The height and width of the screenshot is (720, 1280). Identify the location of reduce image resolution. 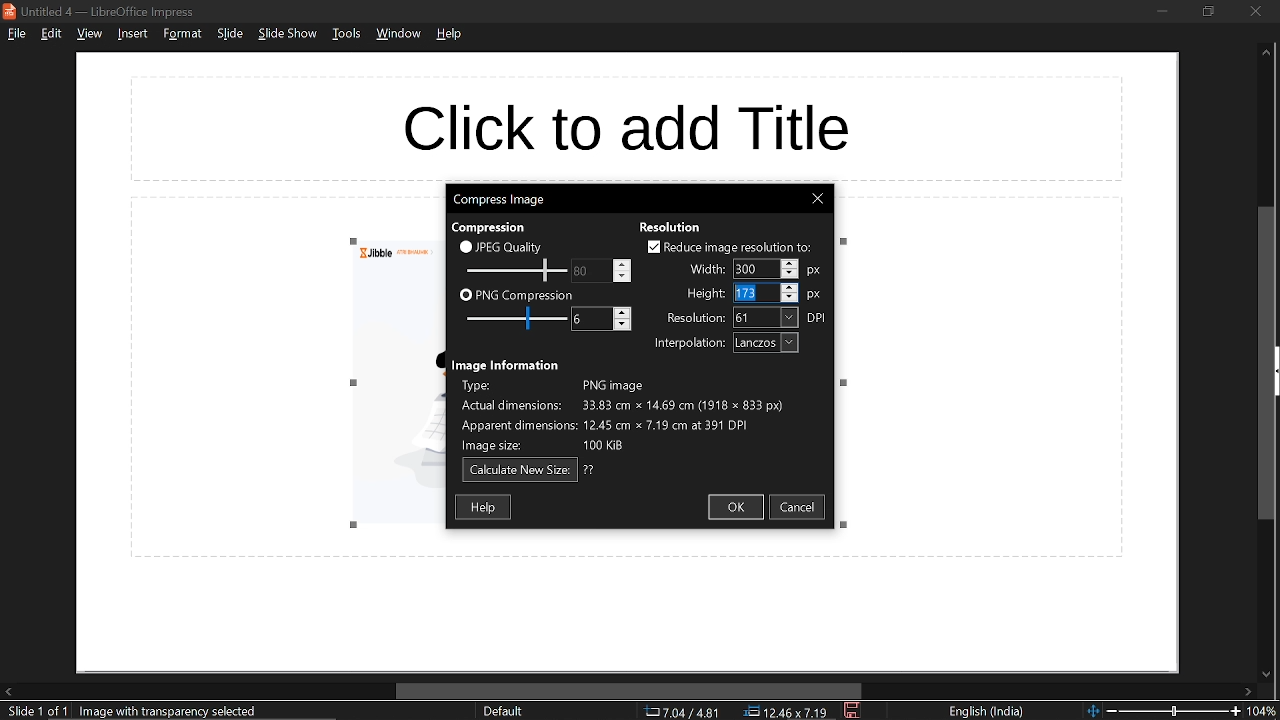
(740, 247).